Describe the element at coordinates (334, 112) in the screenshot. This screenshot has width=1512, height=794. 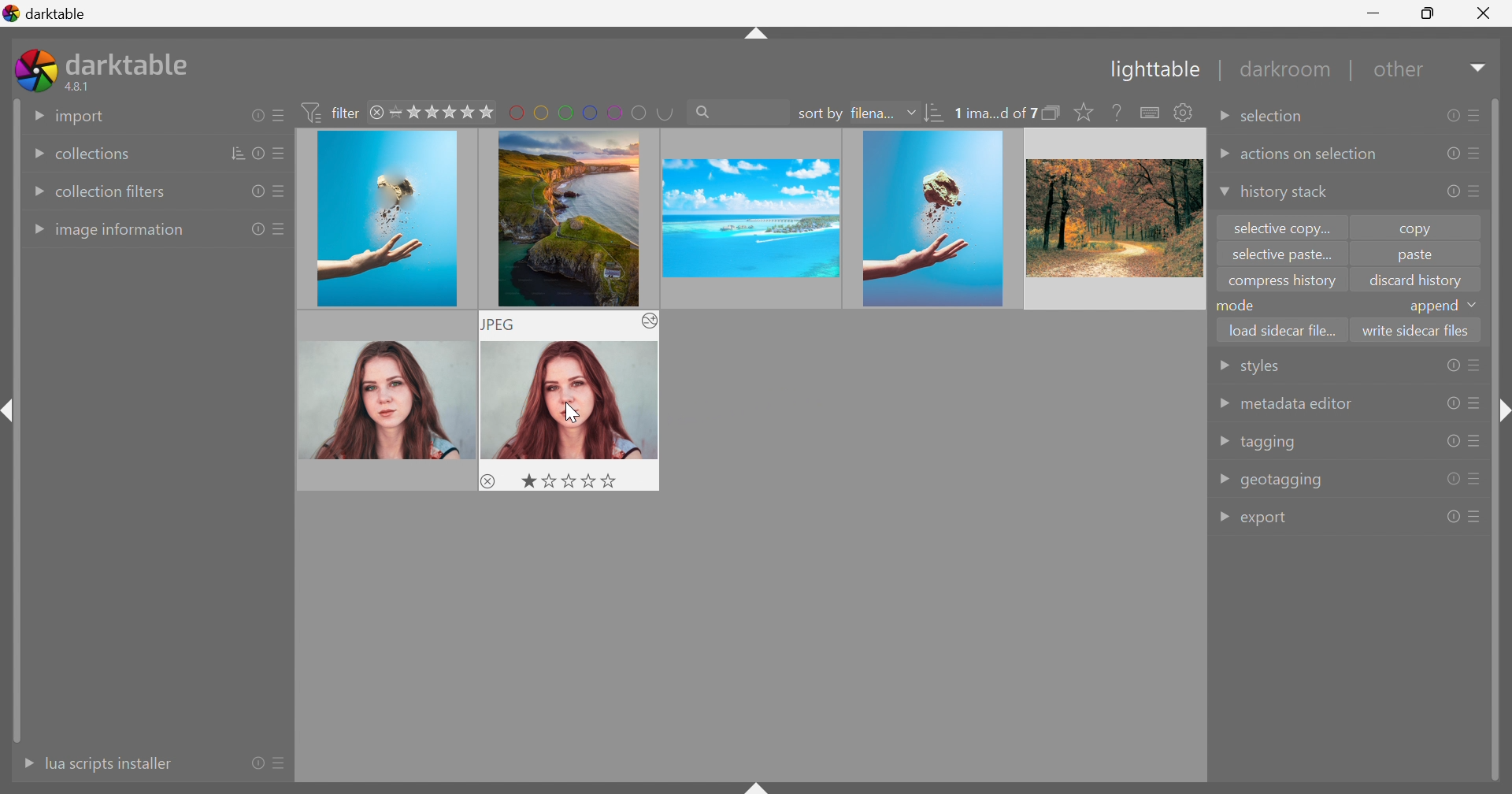
I see `filter` at that location.